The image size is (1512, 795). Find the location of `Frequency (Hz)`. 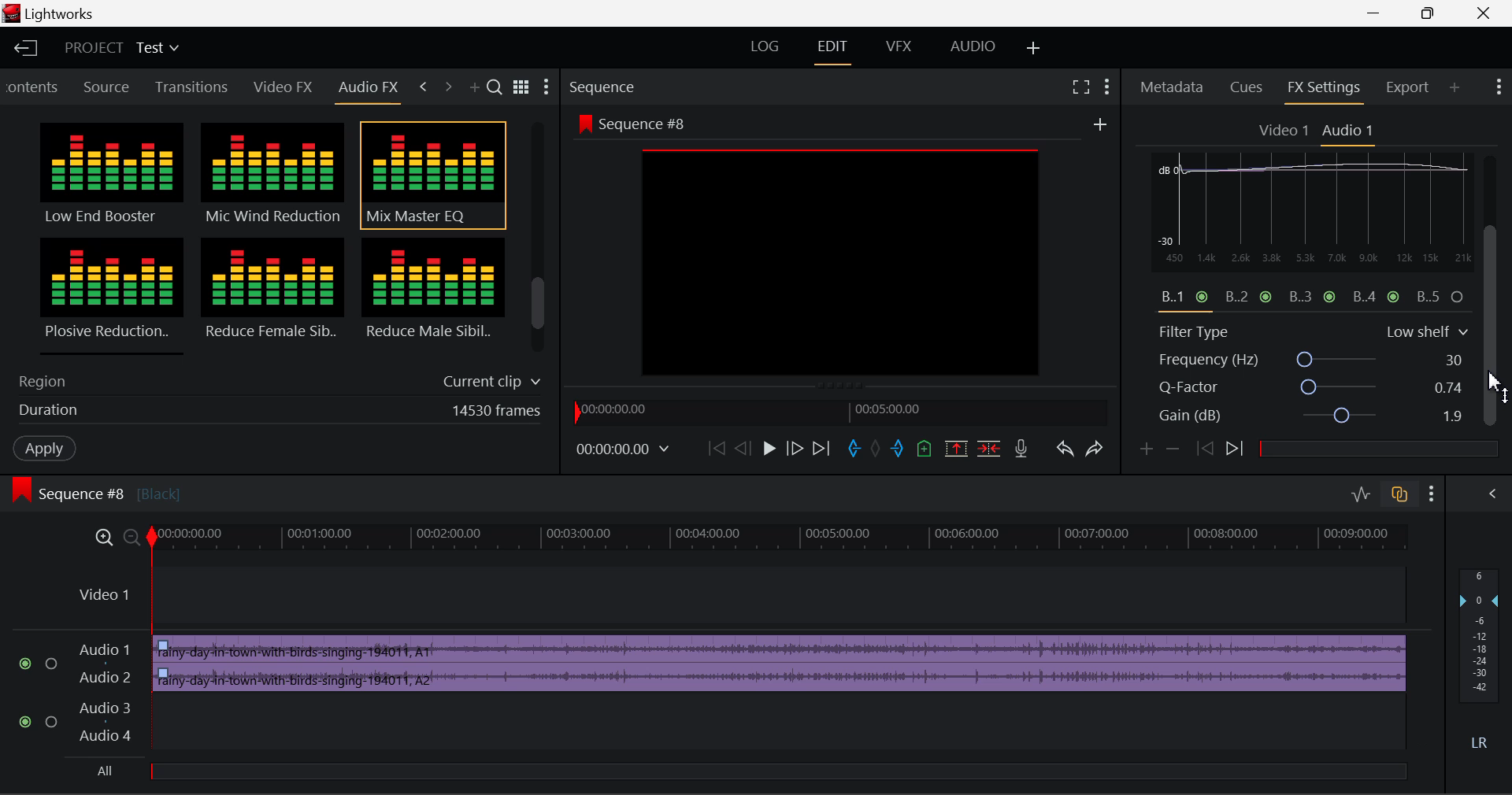

Frequency (Hz) is located at coordinates (1314, 360).